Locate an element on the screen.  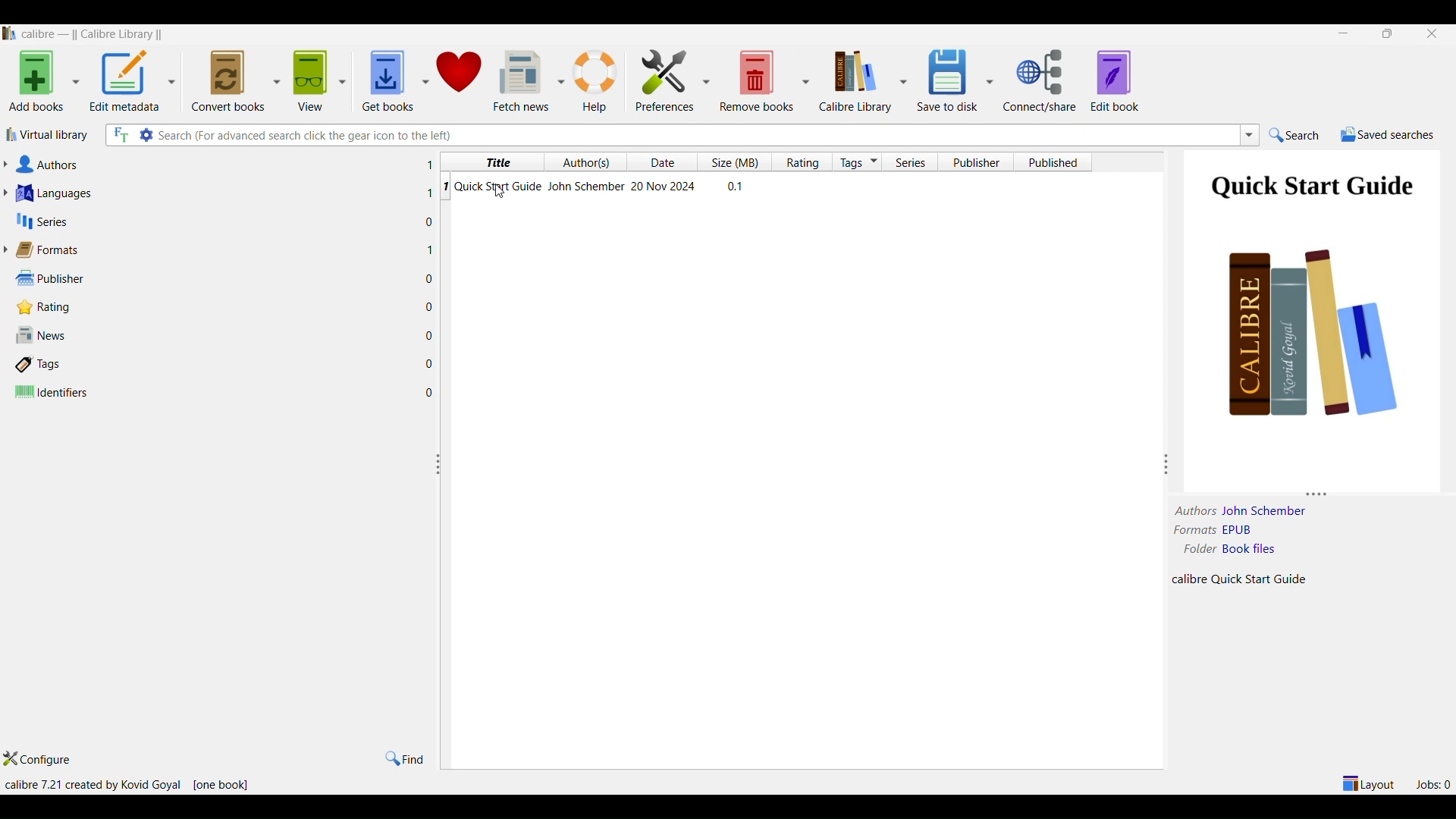
get books is located at coordinates (388, 78).